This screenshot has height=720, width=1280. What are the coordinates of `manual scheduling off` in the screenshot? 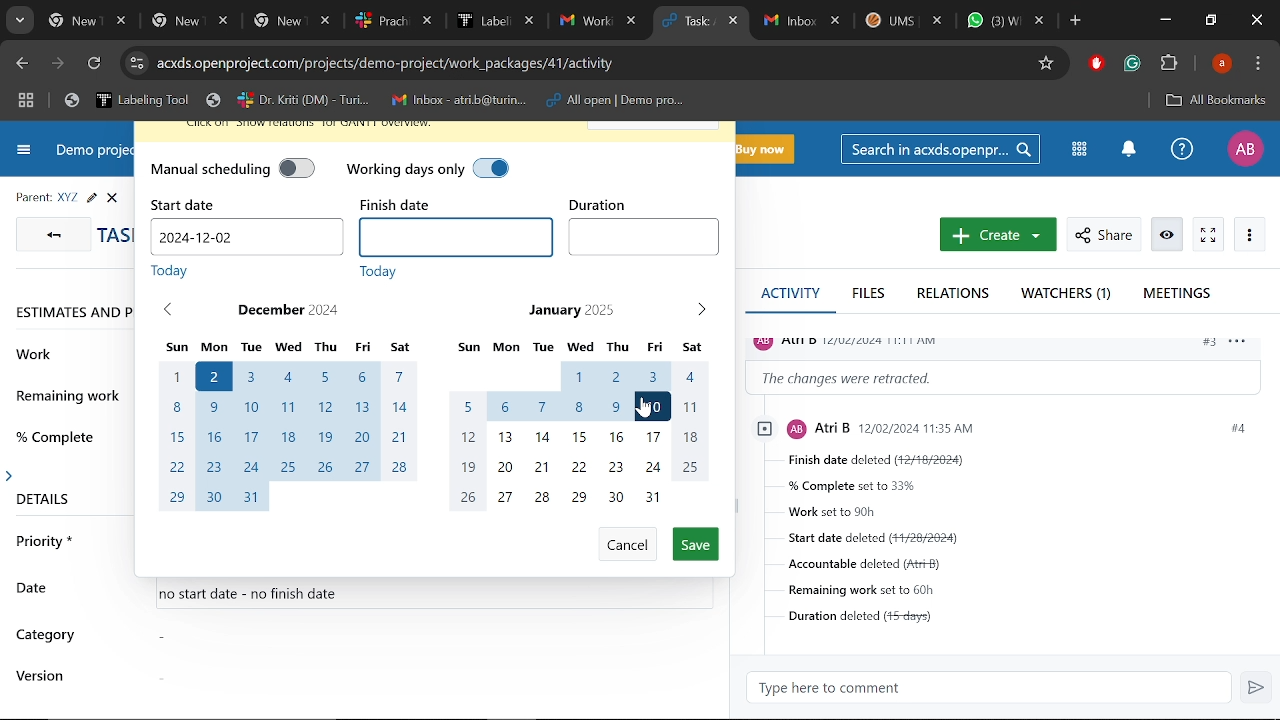 It's located at (300, 166).